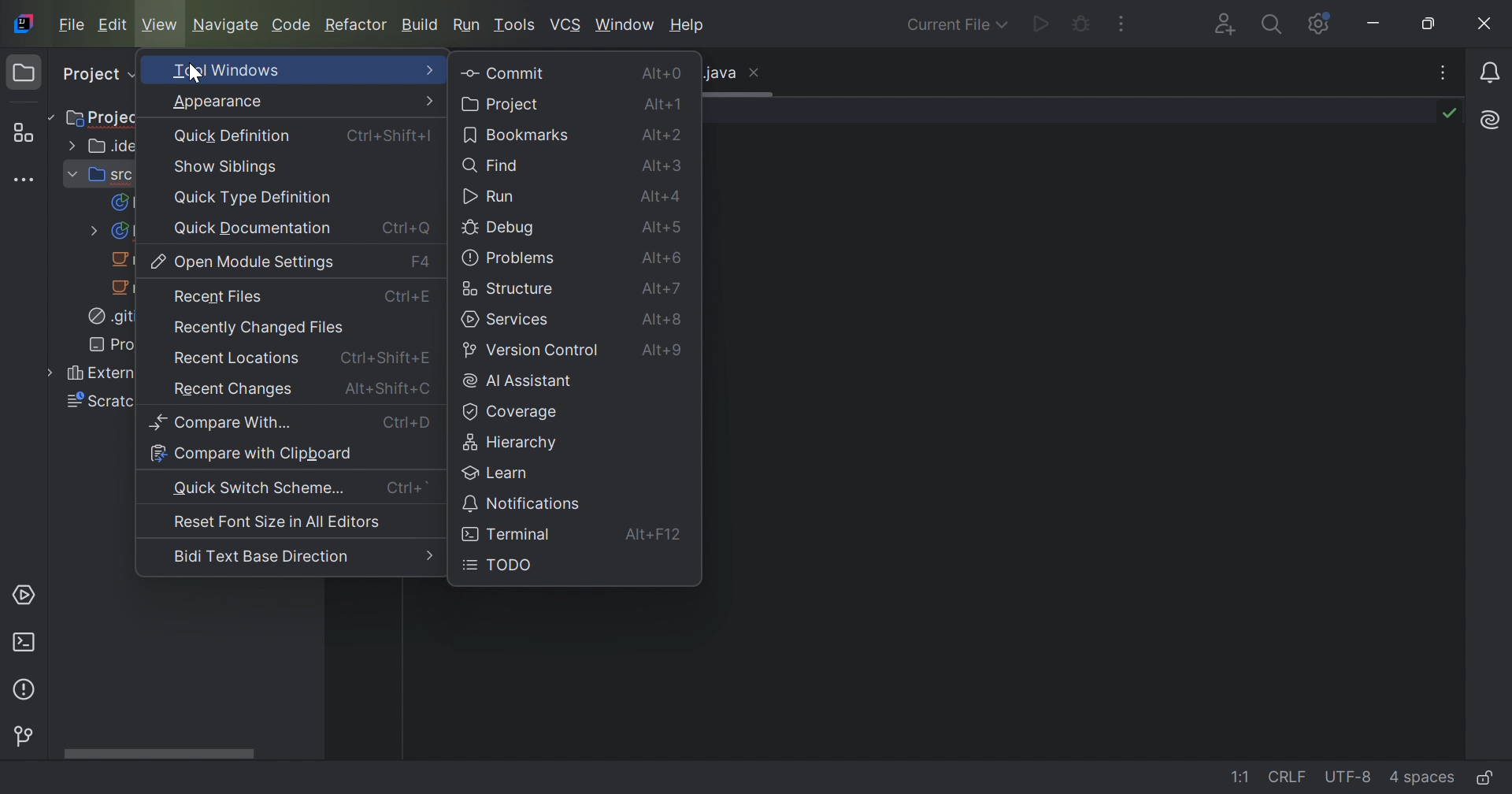 This screenshot has height=794, width=1512. I want to click on Services, so click(27, 594).